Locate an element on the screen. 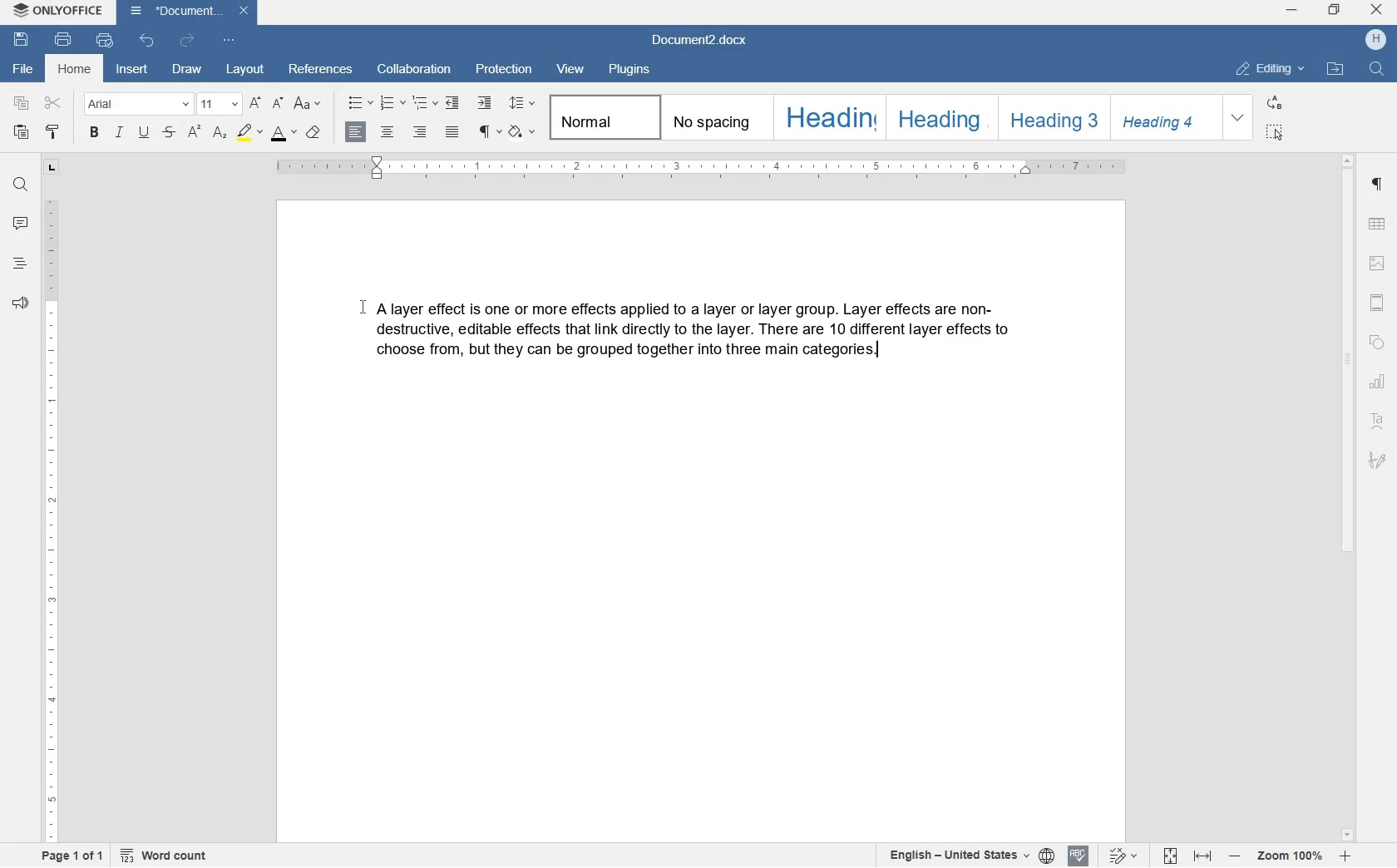  hp is located at coordinates (1375, 40).